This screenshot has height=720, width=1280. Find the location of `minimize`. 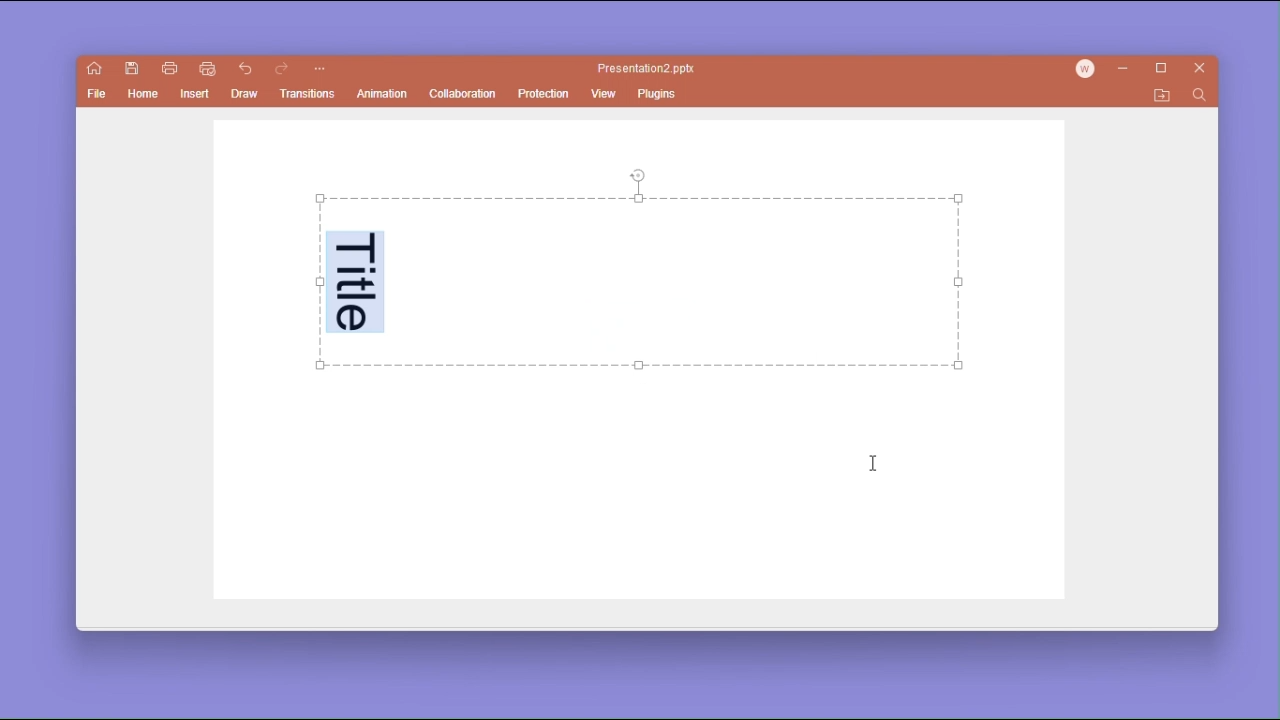

minimize is located at coordinates (1127, 70).